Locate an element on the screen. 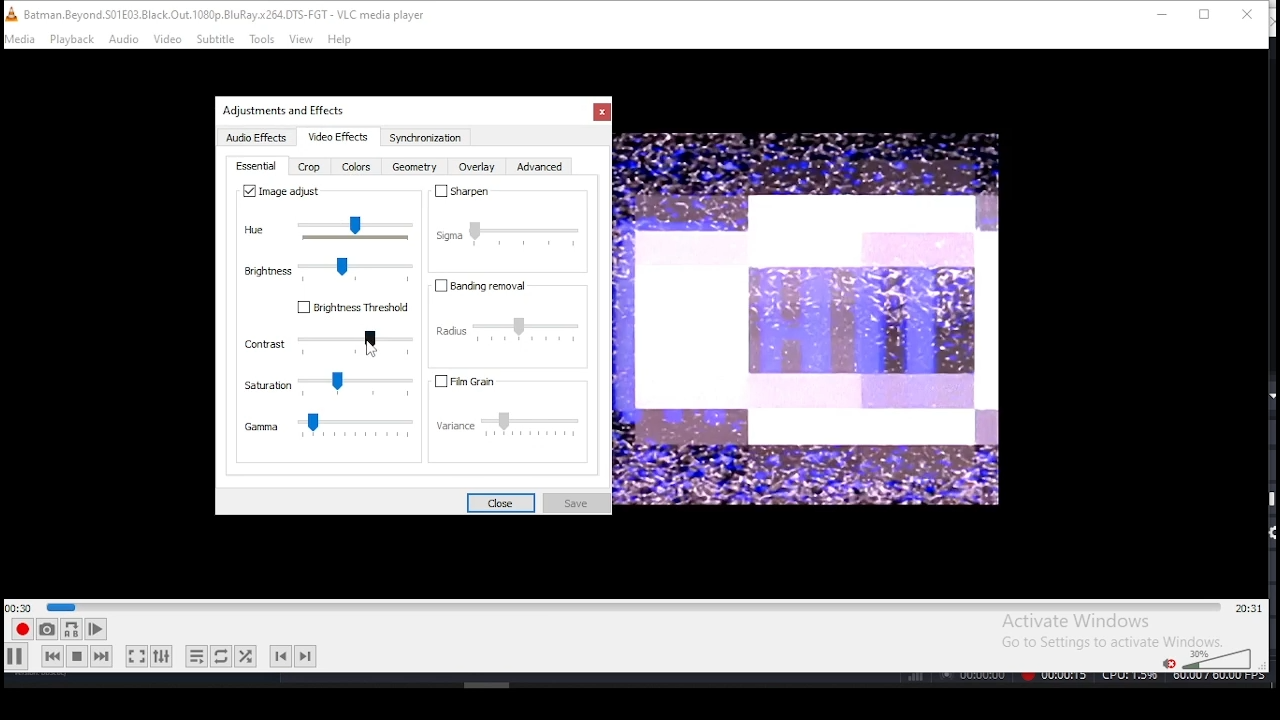 This screenshot has height=720, width=1280. minimize is located at coordinates (1158, 14).